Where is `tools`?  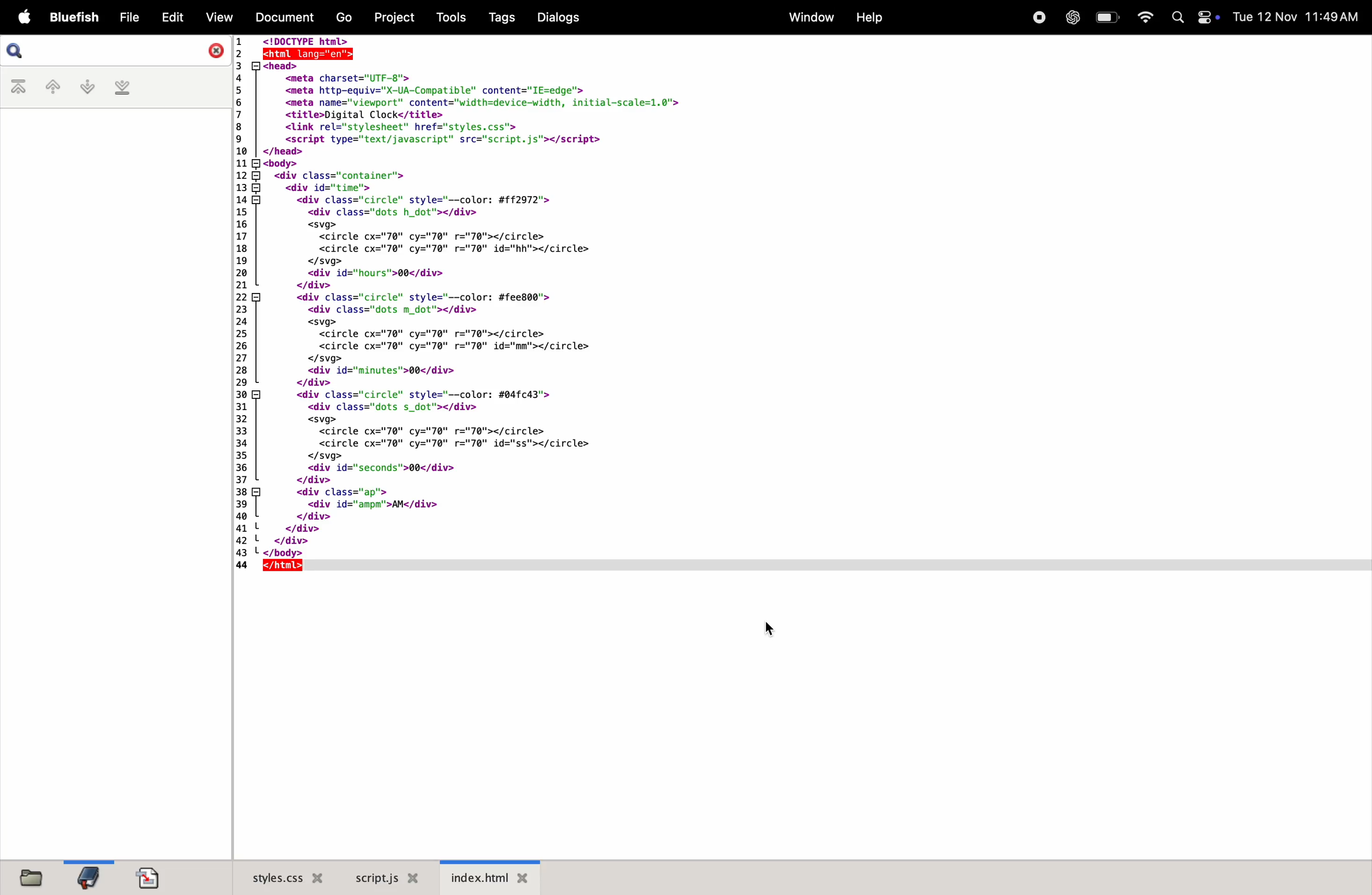
tools is located at coordinates (450, 17).